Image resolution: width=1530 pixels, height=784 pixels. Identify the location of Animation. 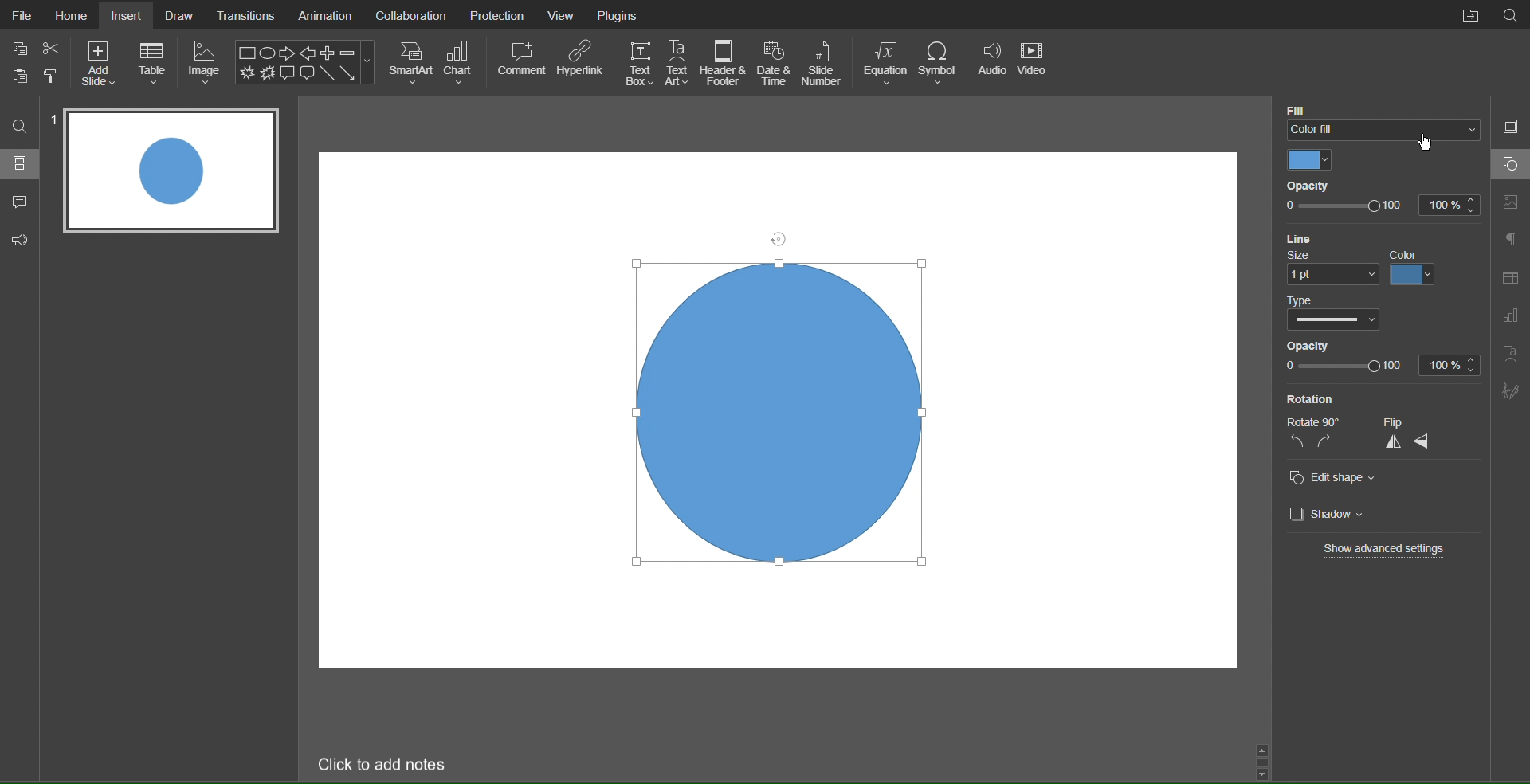
(324, 16).